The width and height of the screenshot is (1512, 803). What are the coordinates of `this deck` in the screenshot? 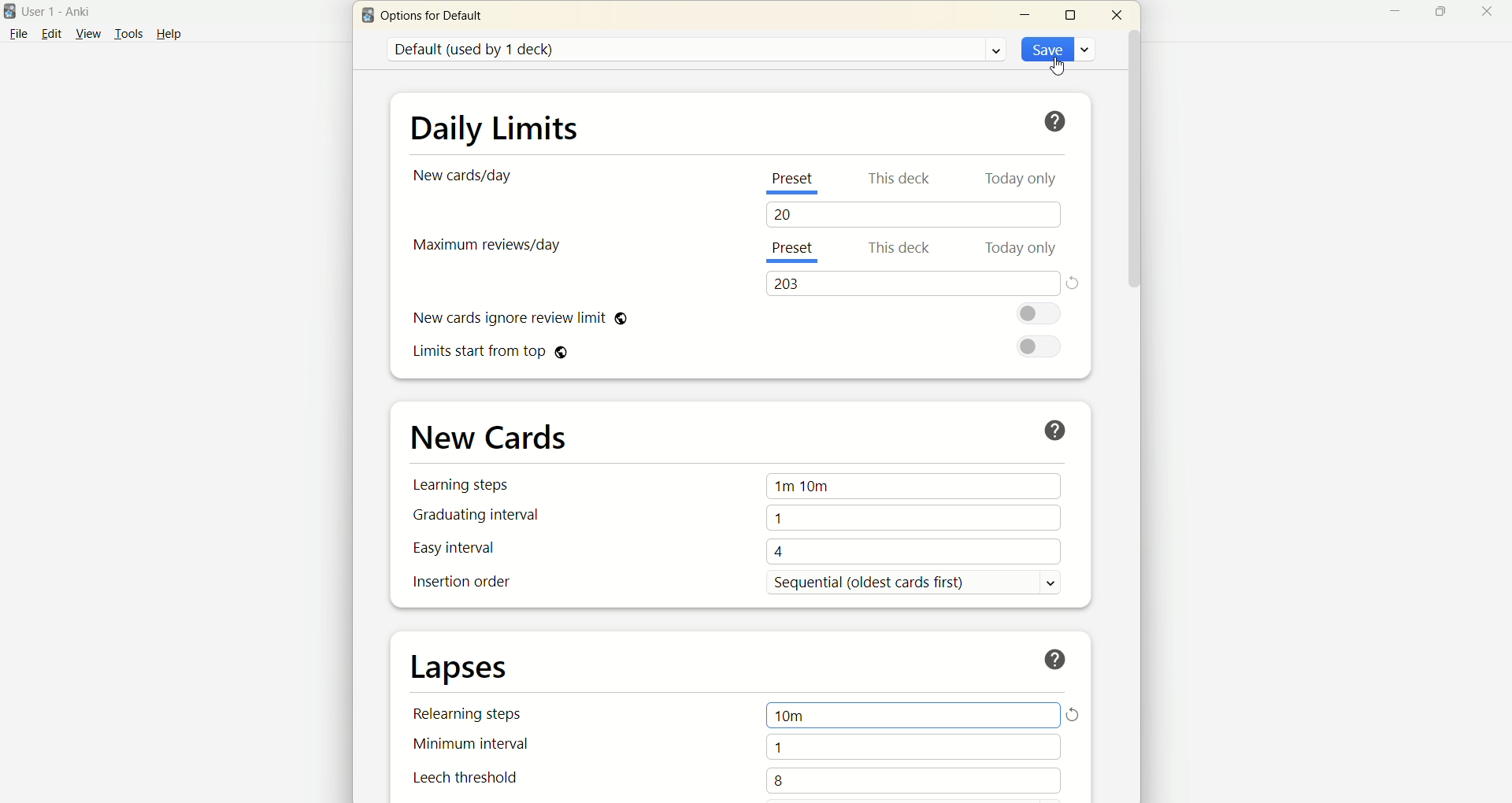 It's located at (902, 250).